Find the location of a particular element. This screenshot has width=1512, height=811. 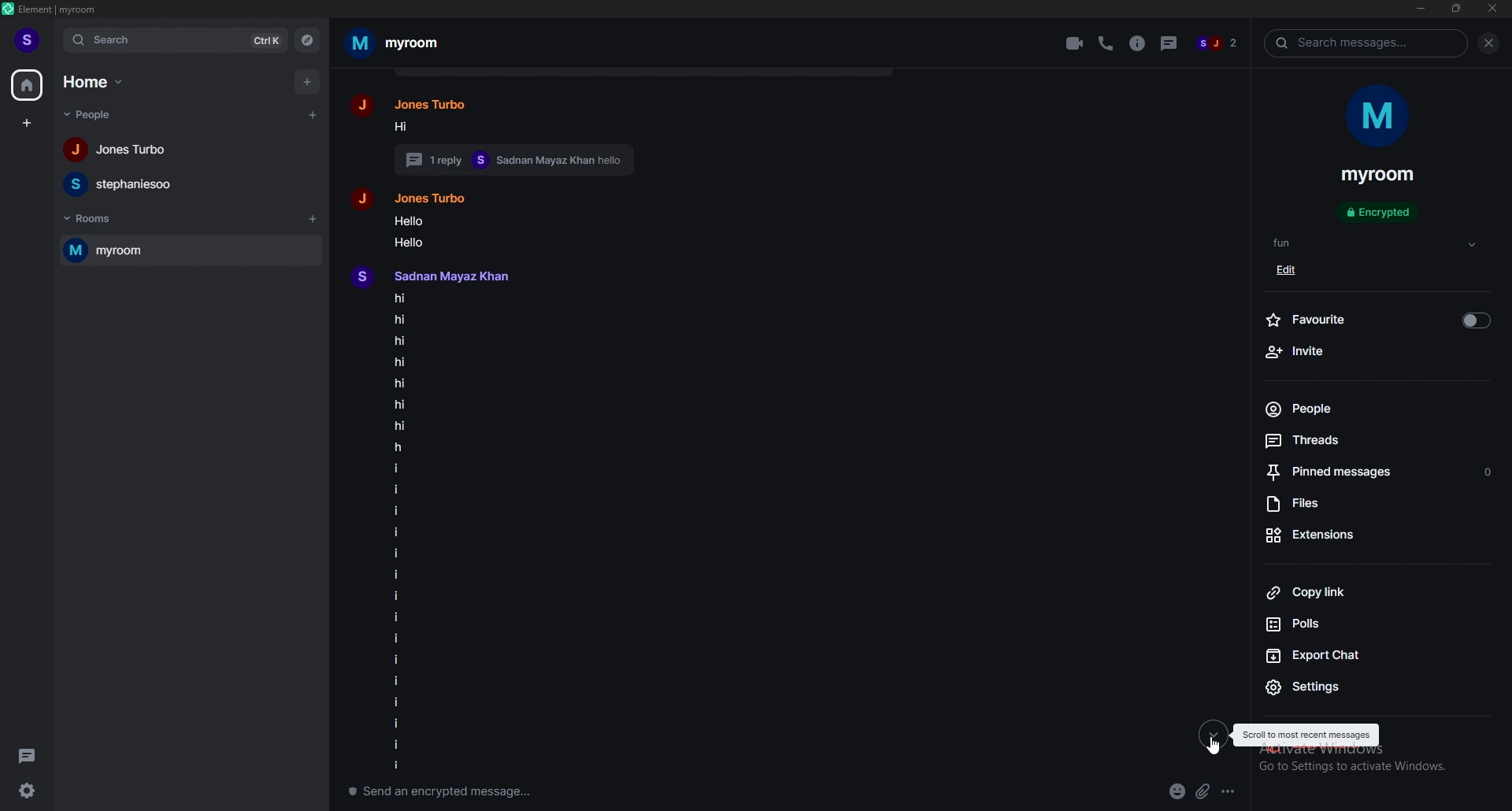

profile is located at coordinates (27, 39).